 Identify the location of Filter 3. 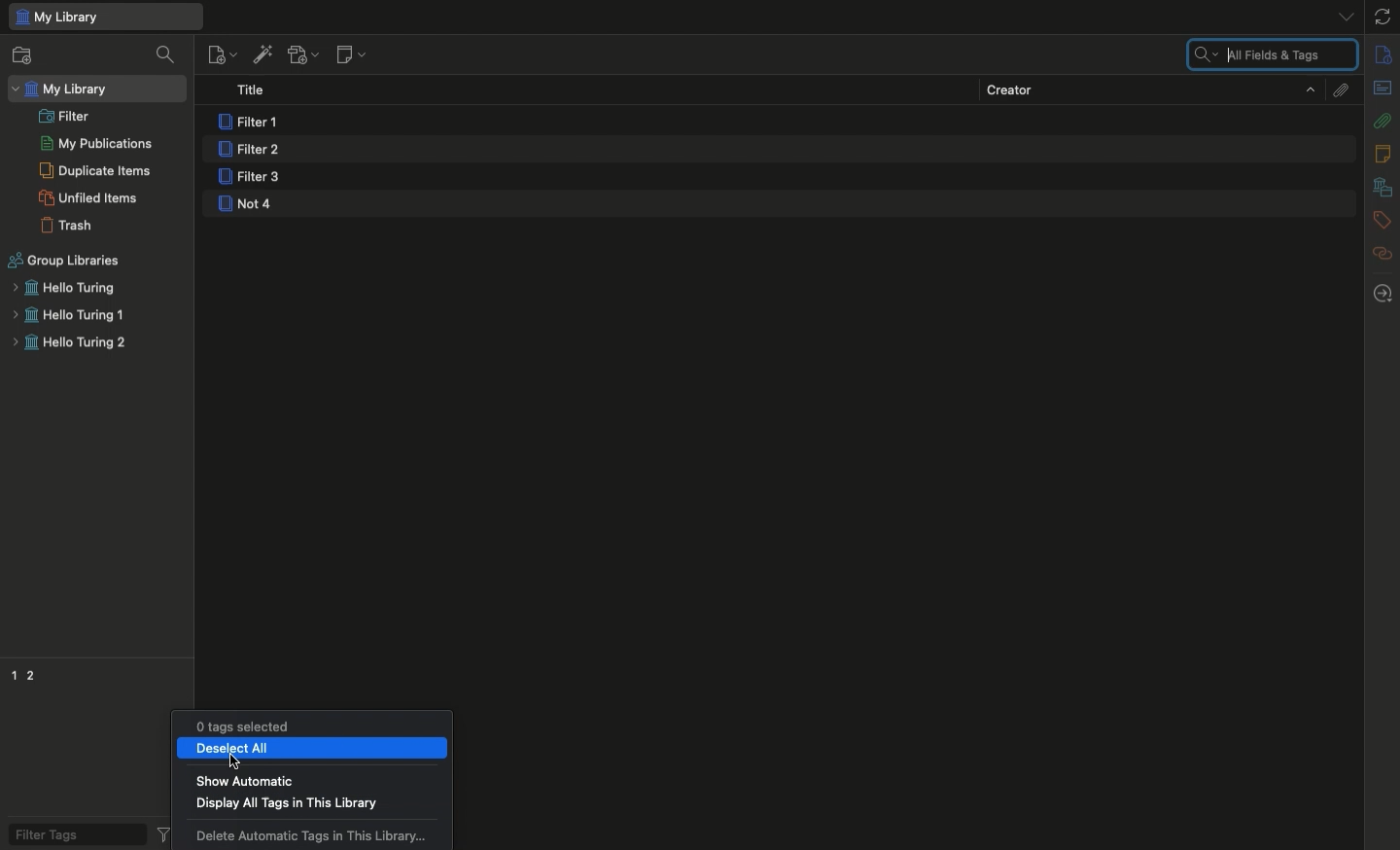
(254, 179).